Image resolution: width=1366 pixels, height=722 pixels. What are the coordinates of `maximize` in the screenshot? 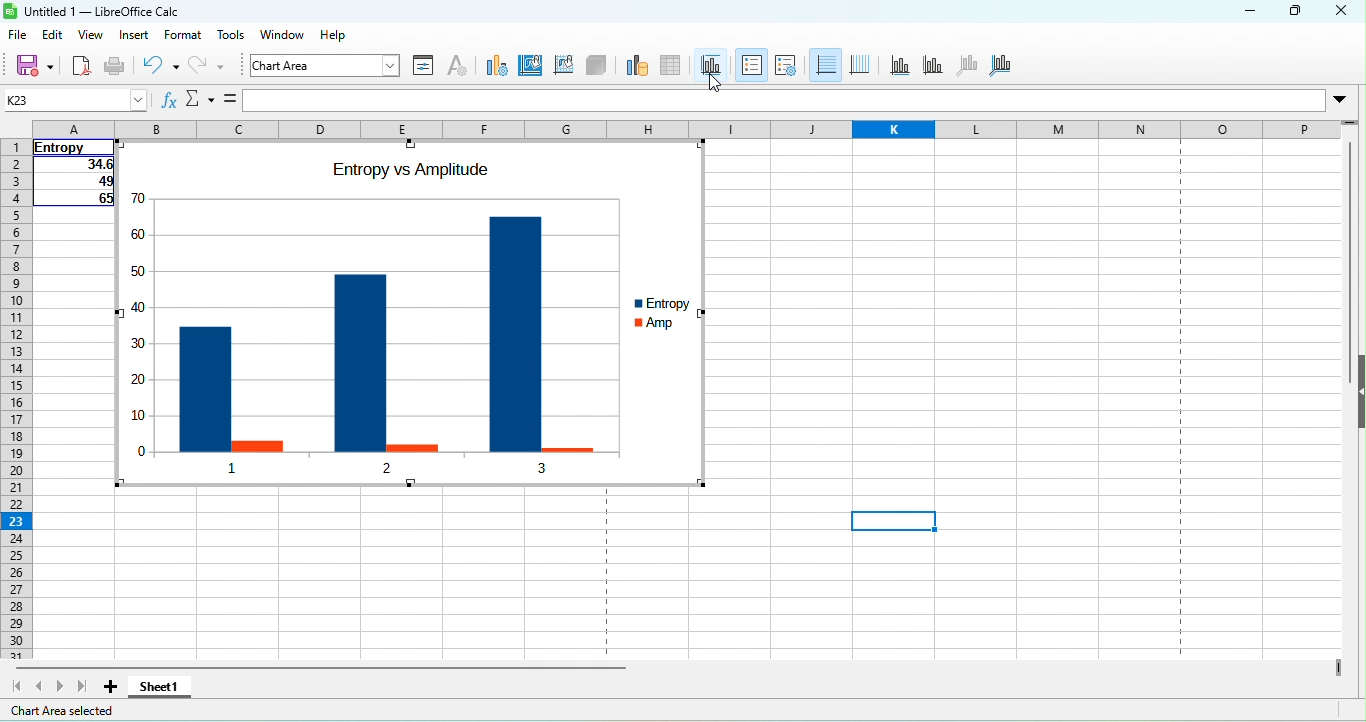 It's located at (1299, 10).